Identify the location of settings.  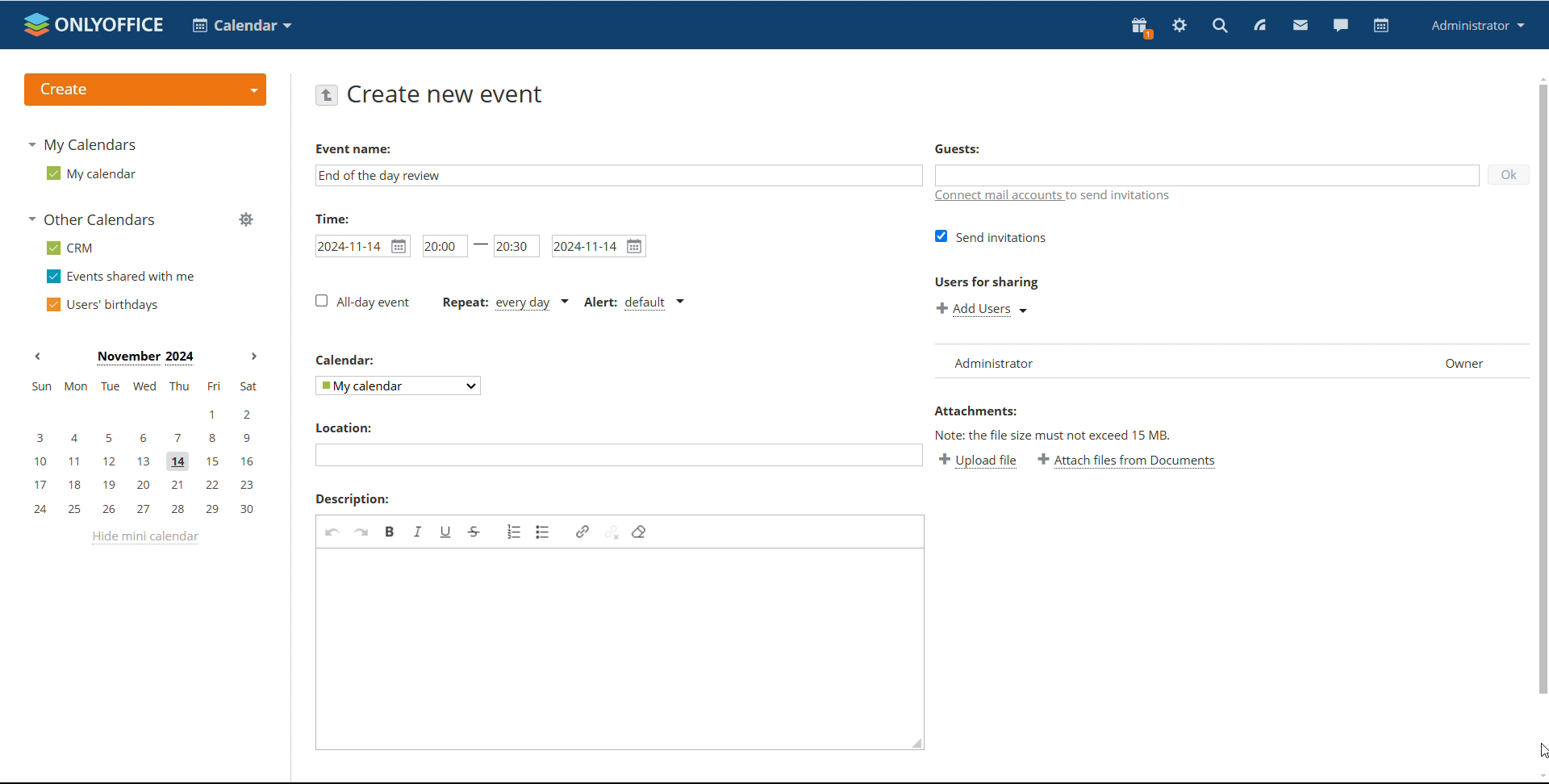
(1179, 27).